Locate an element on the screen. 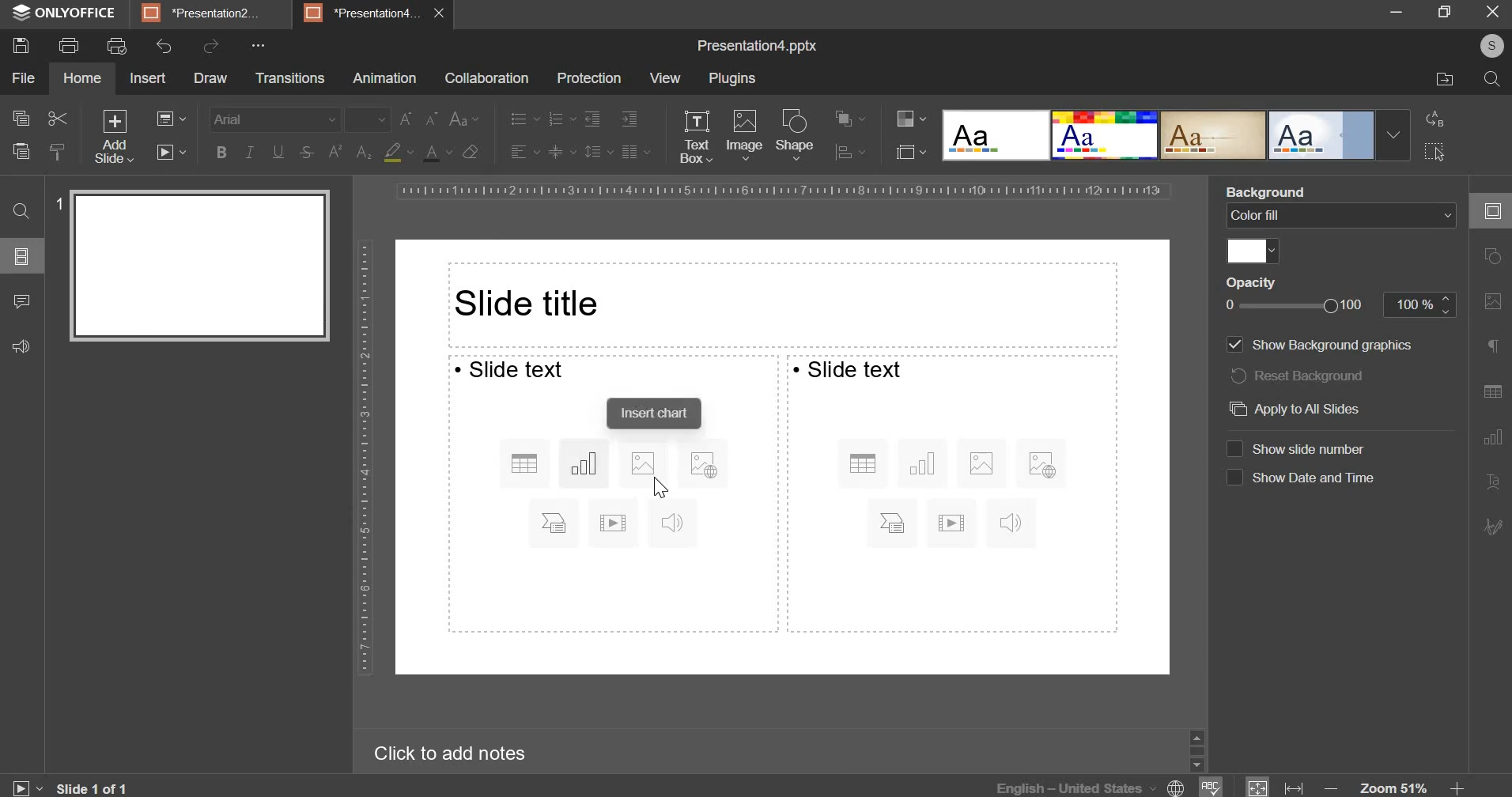 The image size is (1512, 797). change case is located at coordinates (464, 119).